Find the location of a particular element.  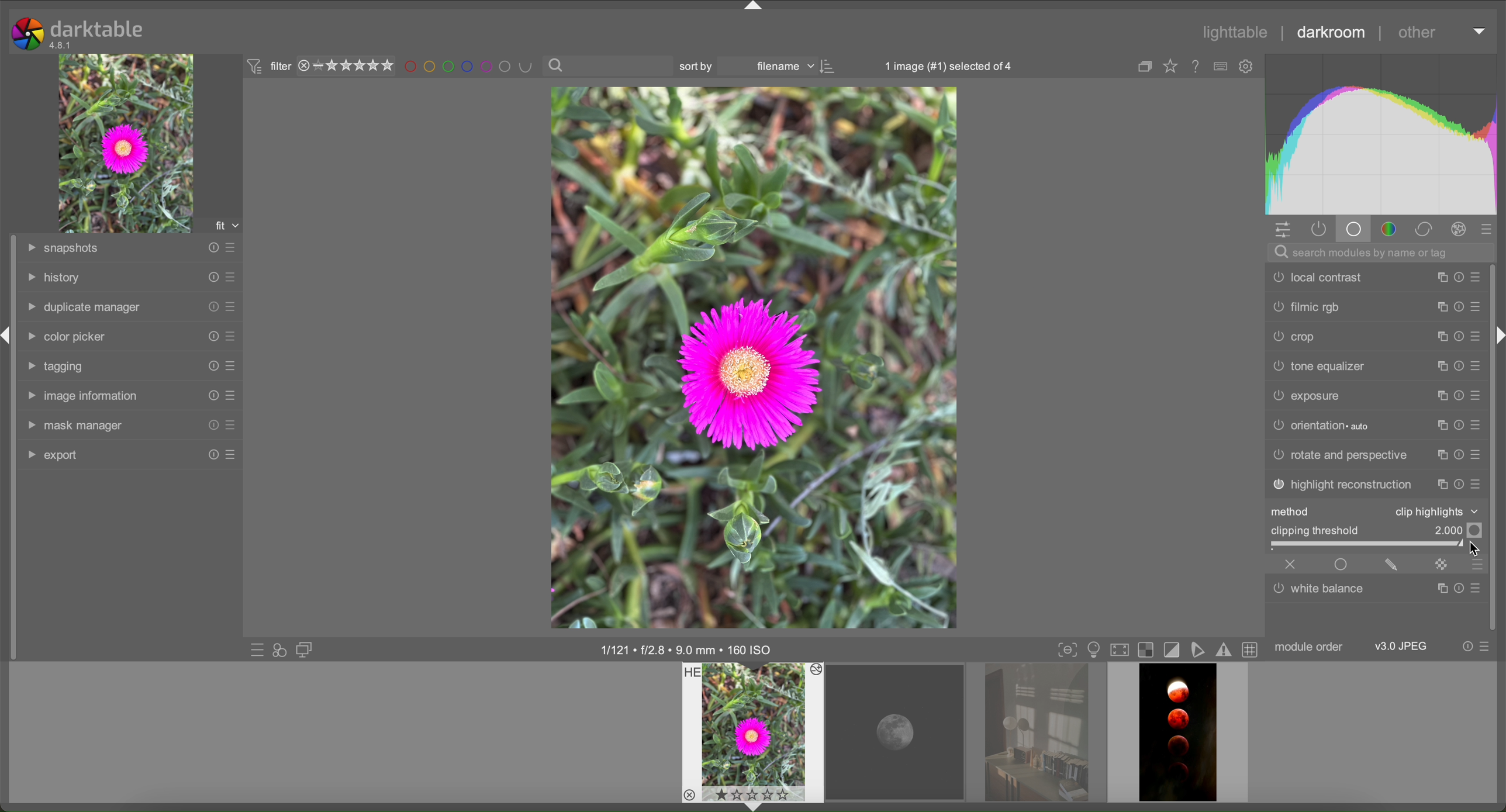

presets is located at coordinates (231, 425).